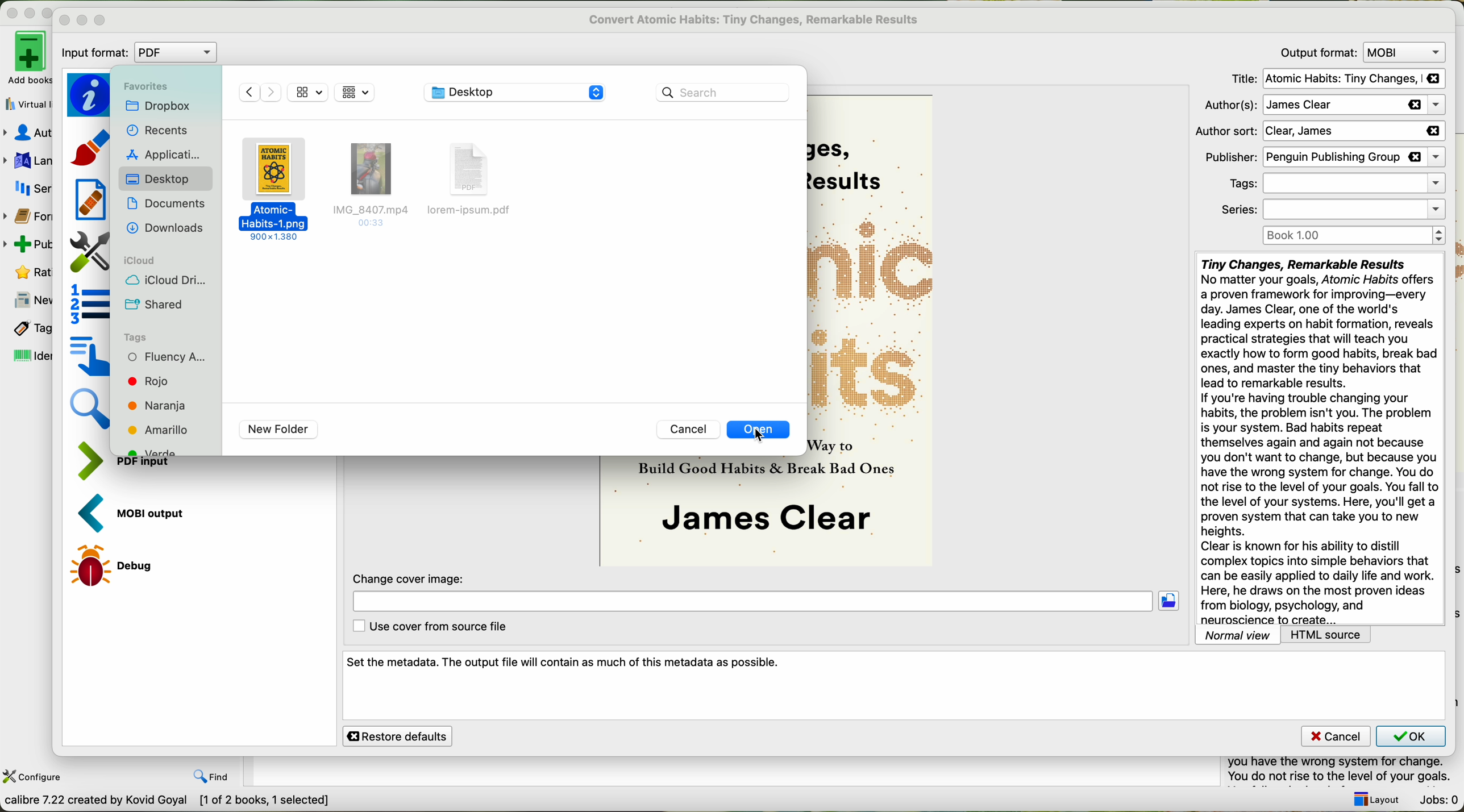 The image size is (1464, 812). I want to click on mosaic view, so click(355, 93).